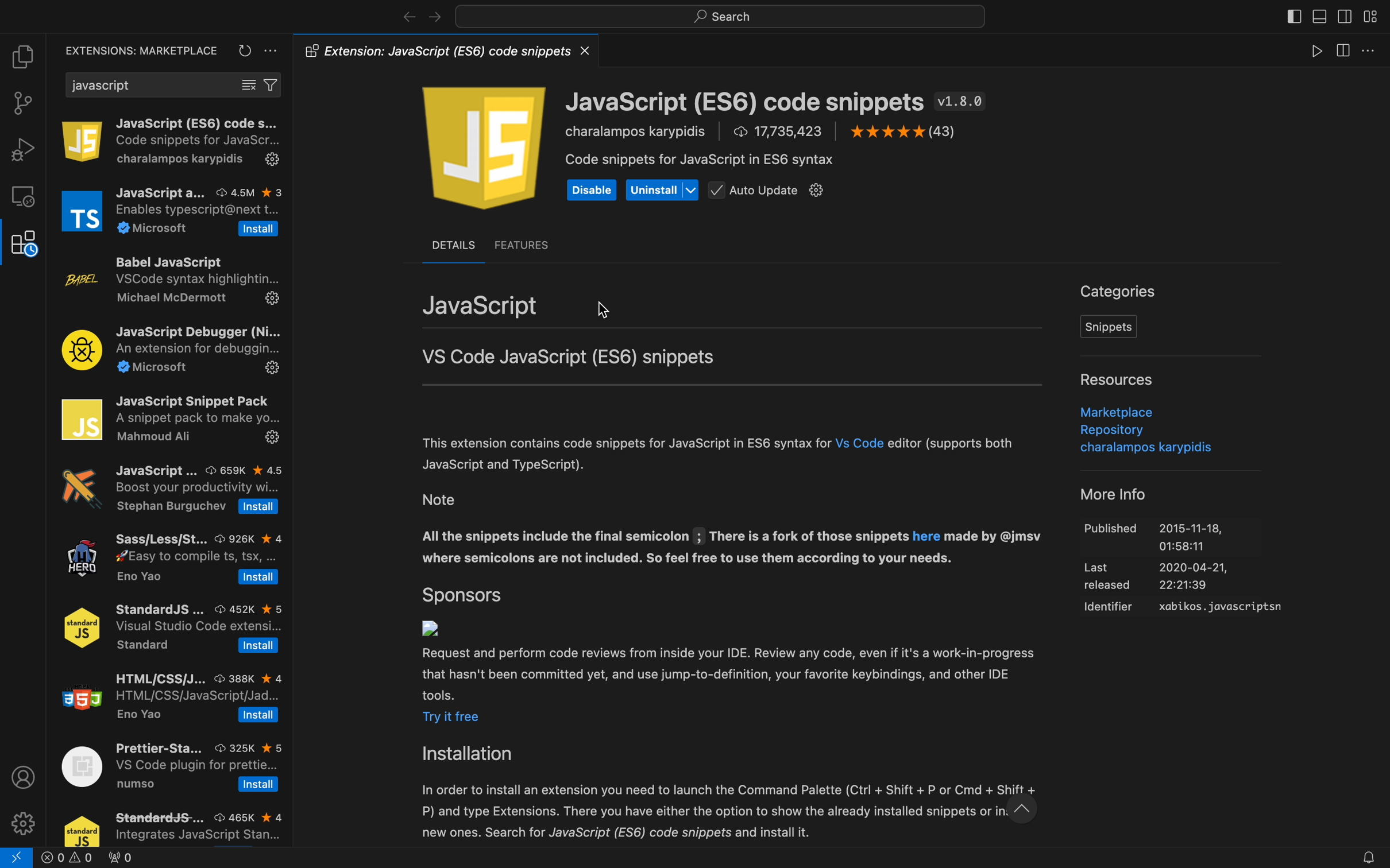 This screenshot has width=1390, height=868. Describe the element at coordinates (23, 196) in the screenshot. I see `remote explore` at that location.